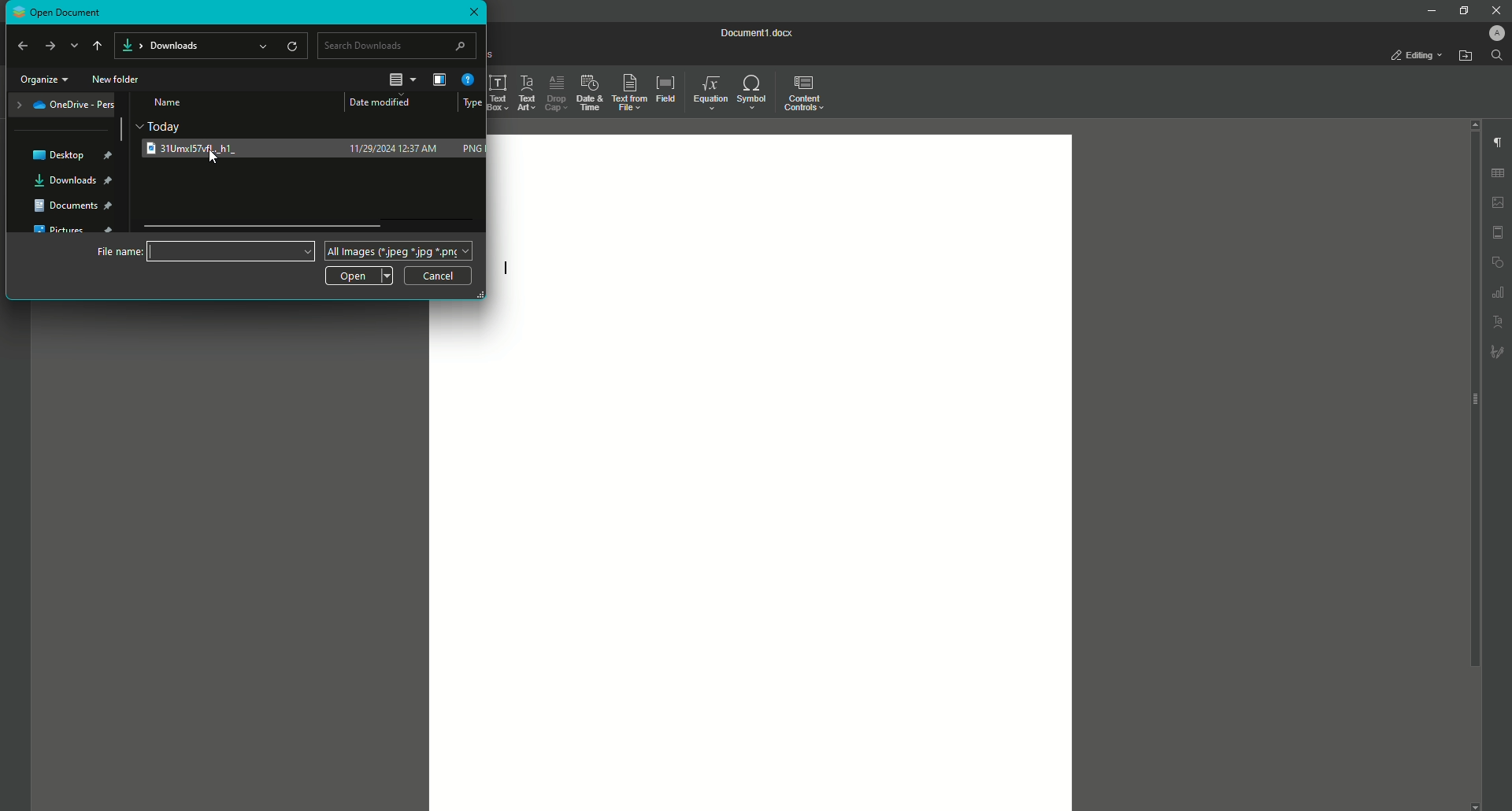  I want to click on Text From File, so click(628, 92).